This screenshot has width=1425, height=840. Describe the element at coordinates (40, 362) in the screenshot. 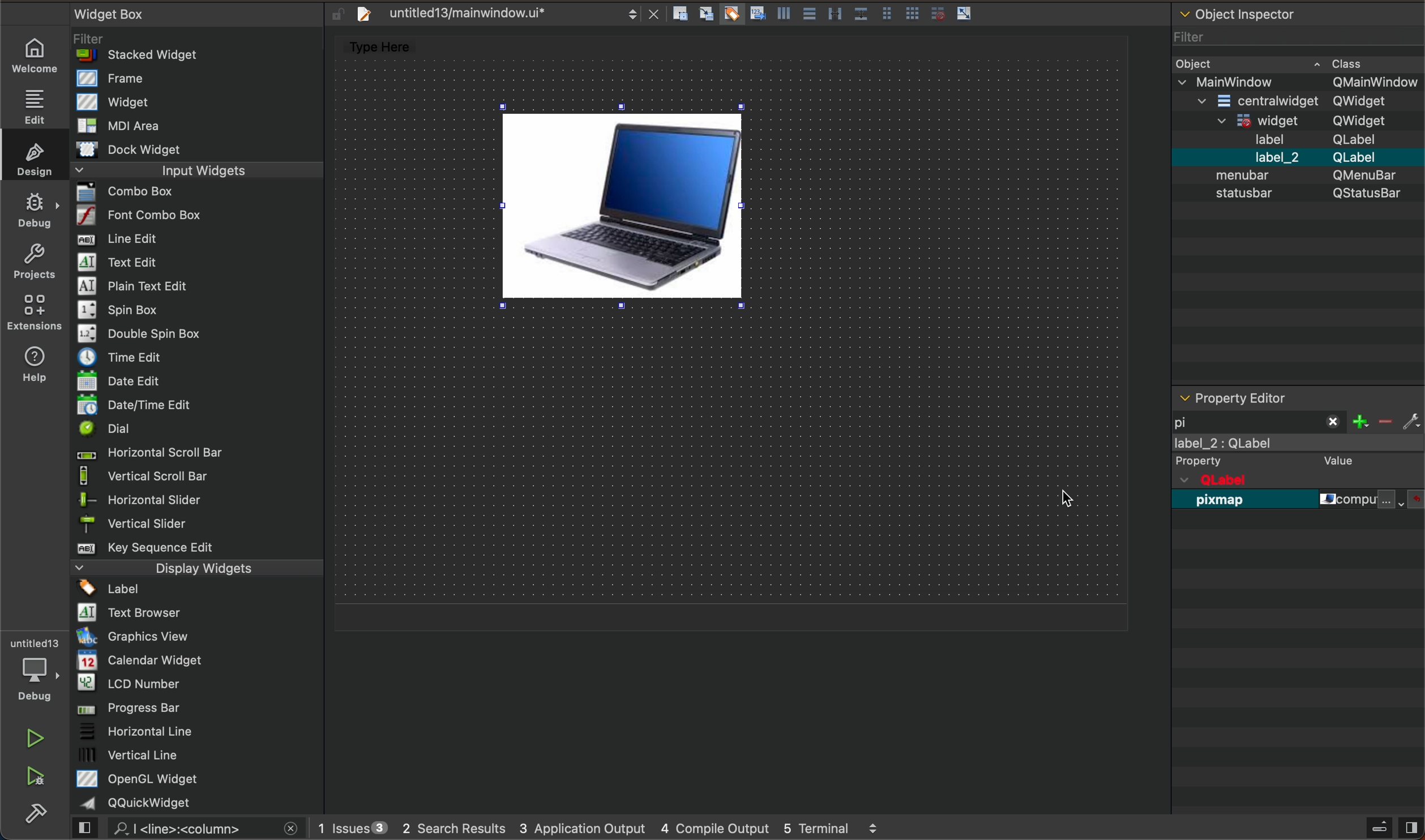

I see `help` at that location.